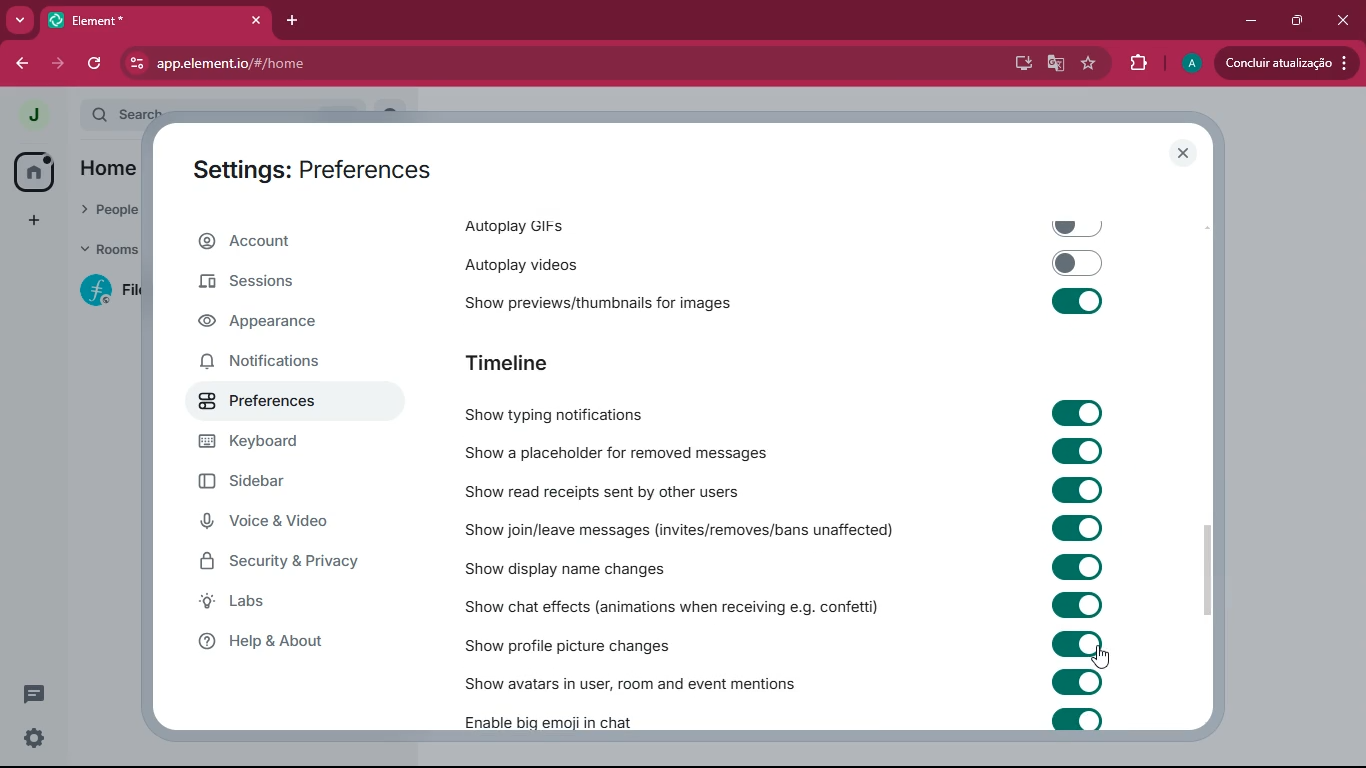  I want to click on account, so click(296, 244).